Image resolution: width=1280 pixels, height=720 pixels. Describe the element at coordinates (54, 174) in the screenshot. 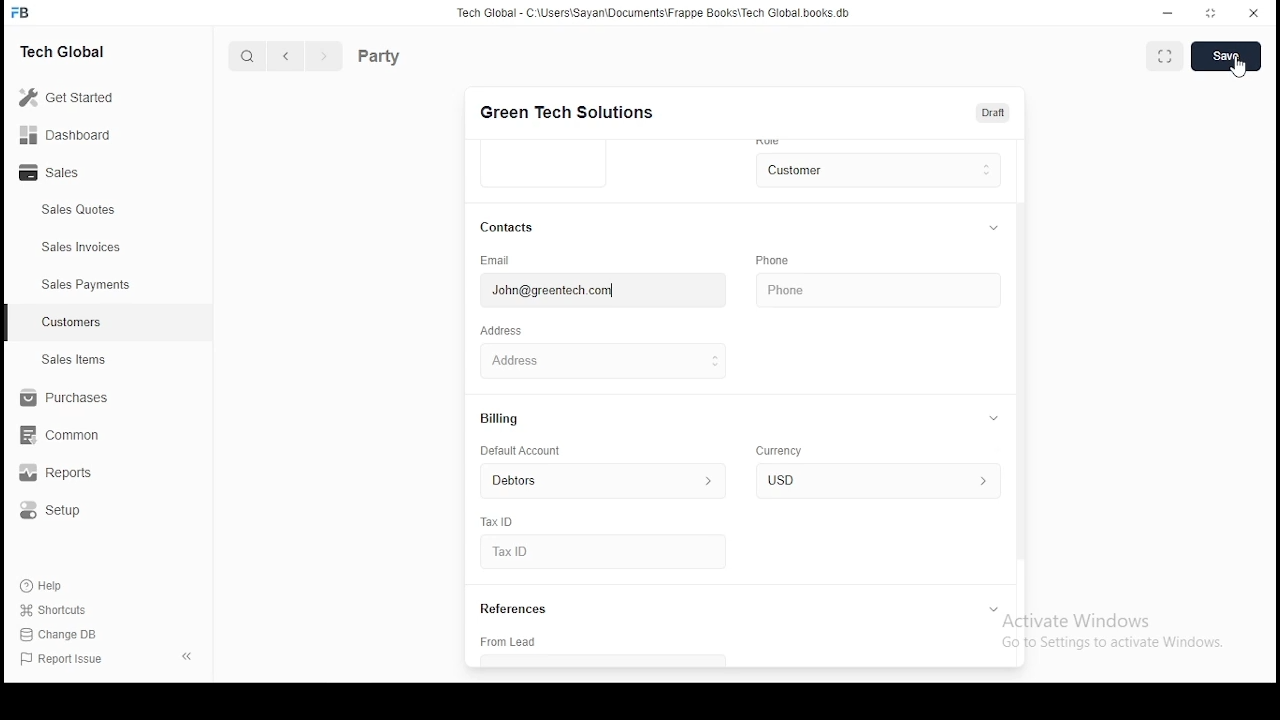

I see `sales` at that location.